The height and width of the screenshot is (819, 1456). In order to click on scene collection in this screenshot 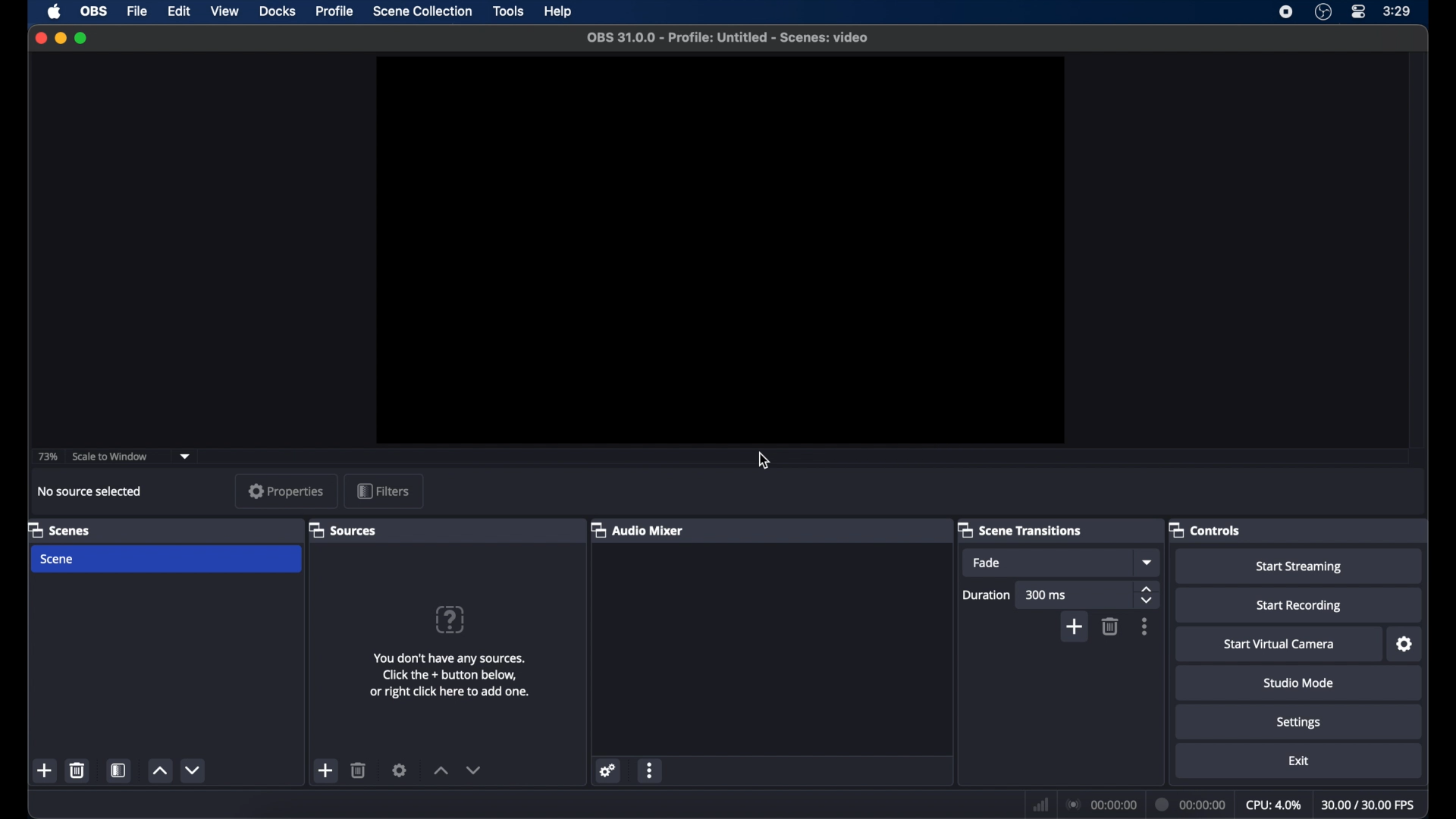, I will do `click(423, 11)`.